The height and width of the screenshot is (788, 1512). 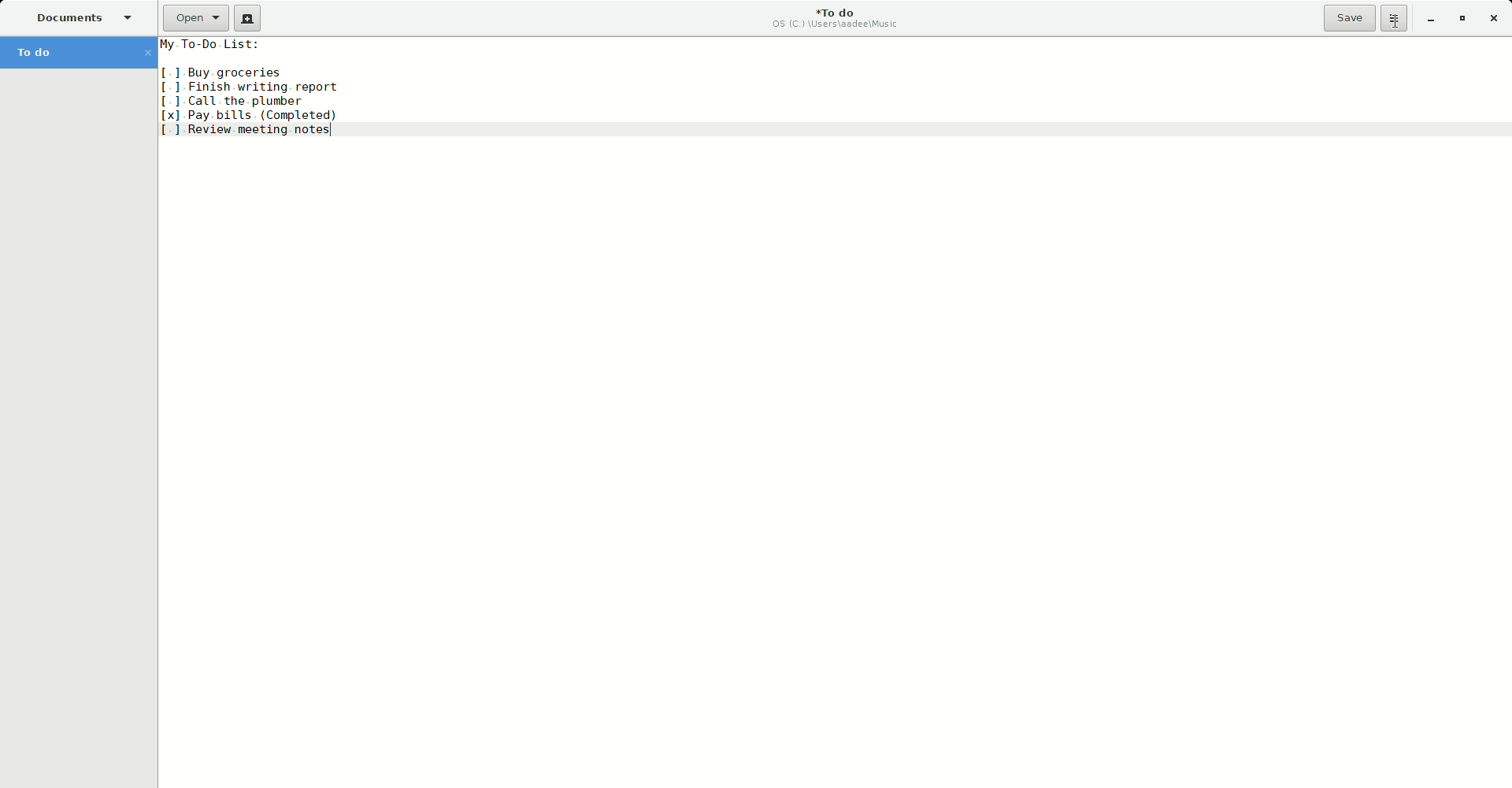 What do you see at coordinates (1494, 20) in the screenshot?
I see `Close` at bounding box center [1494, 20].